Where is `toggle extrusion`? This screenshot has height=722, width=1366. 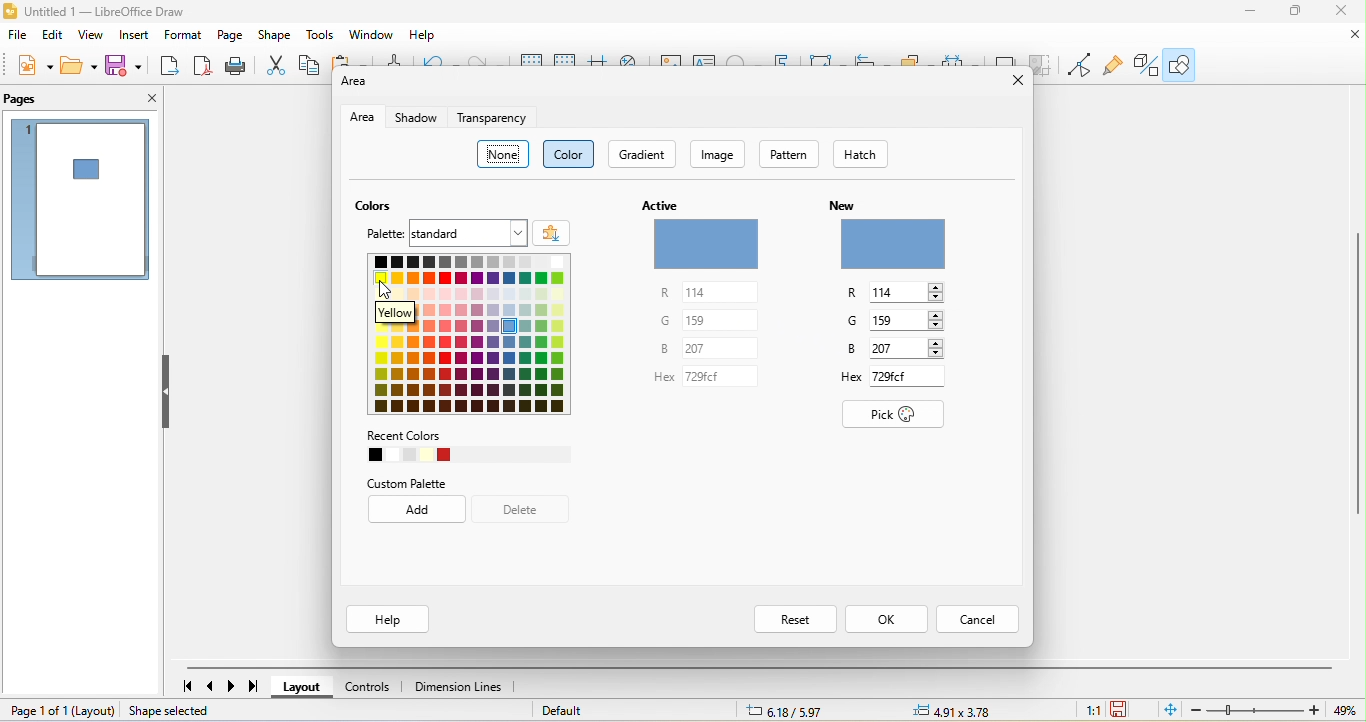
toggle extrusion is located at coordinates (1141, 65).